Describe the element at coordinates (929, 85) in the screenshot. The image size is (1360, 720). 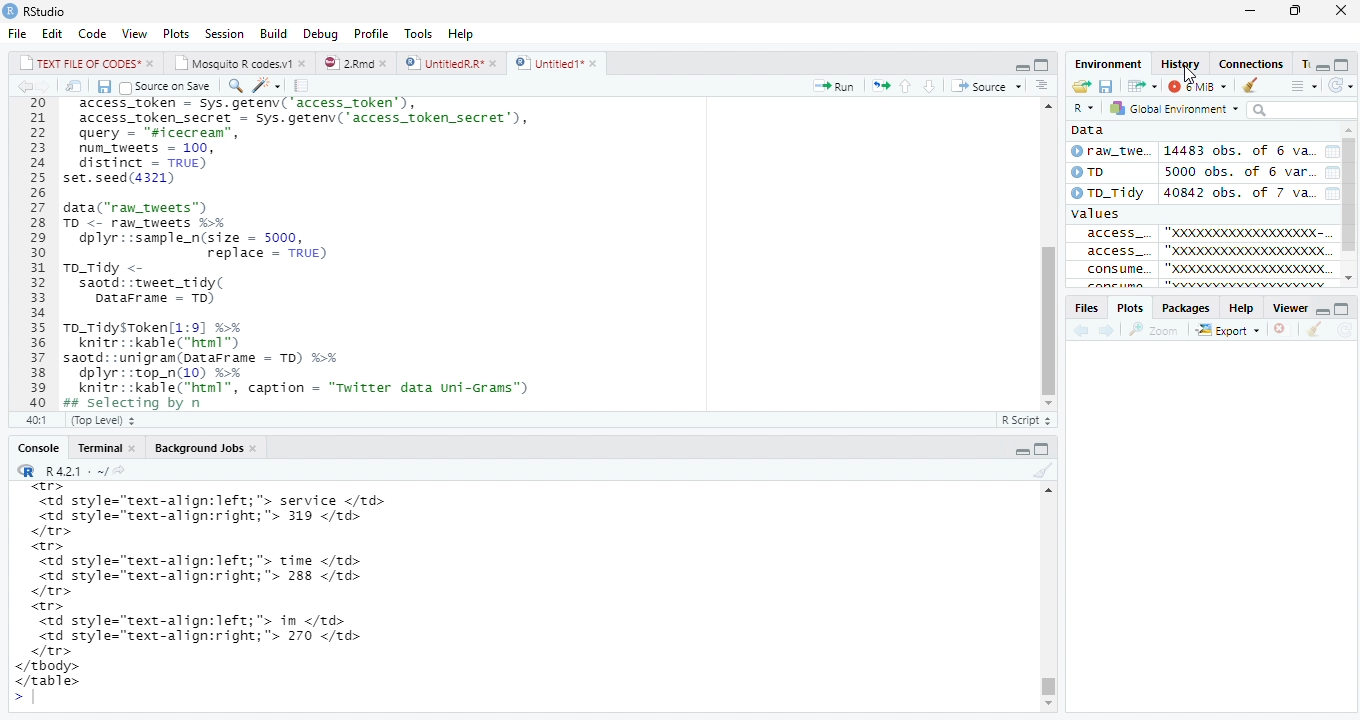
I see `up/down source` at that location.